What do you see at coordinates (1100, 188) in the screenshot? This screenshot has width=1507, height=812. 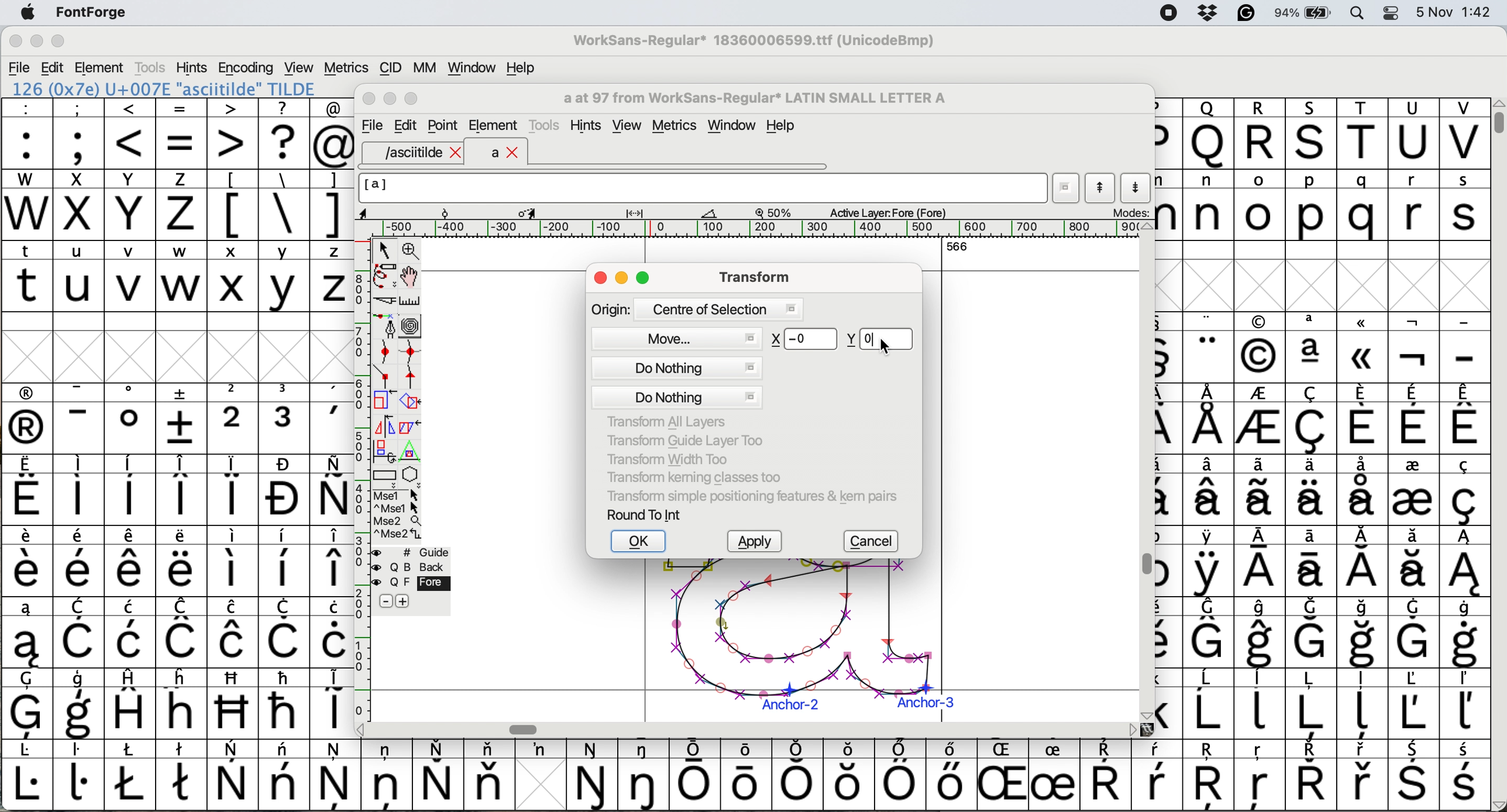 I see `show previous letter` at bounding box center [1100, 188].